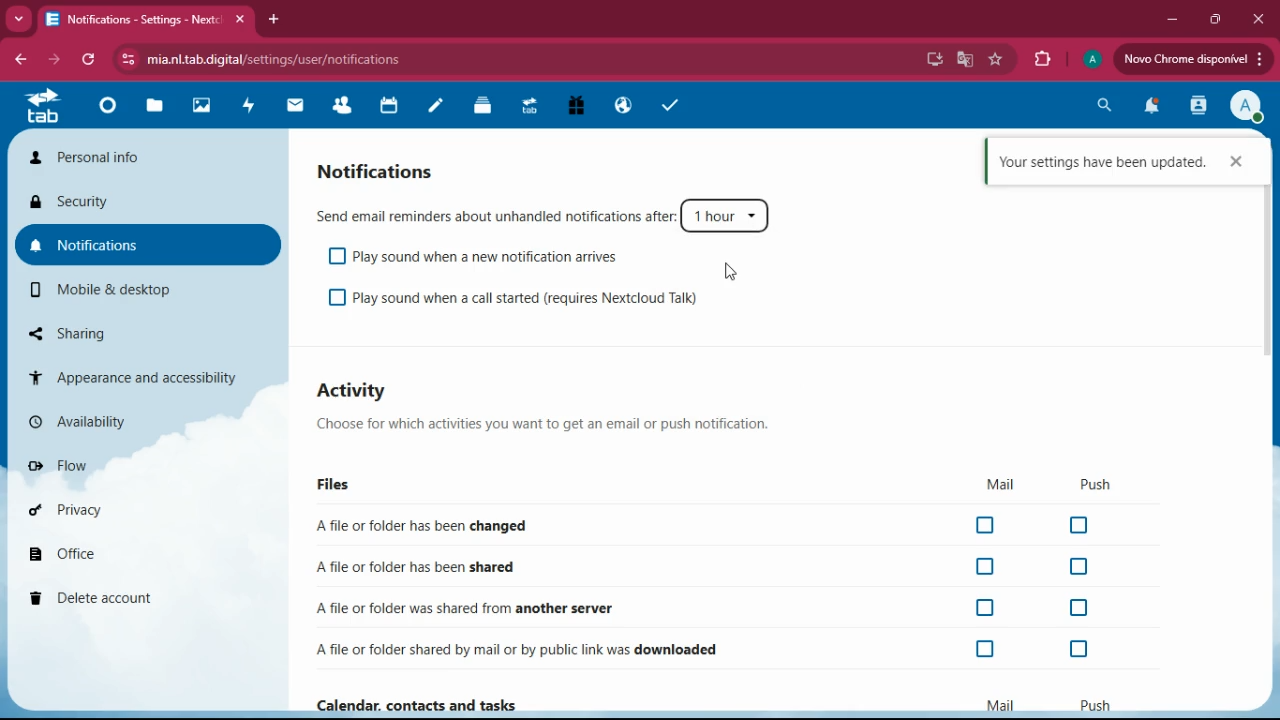 Image resolution: width=1280 pixels, height=720 pixels. I want to click on more, so click(18, 21).